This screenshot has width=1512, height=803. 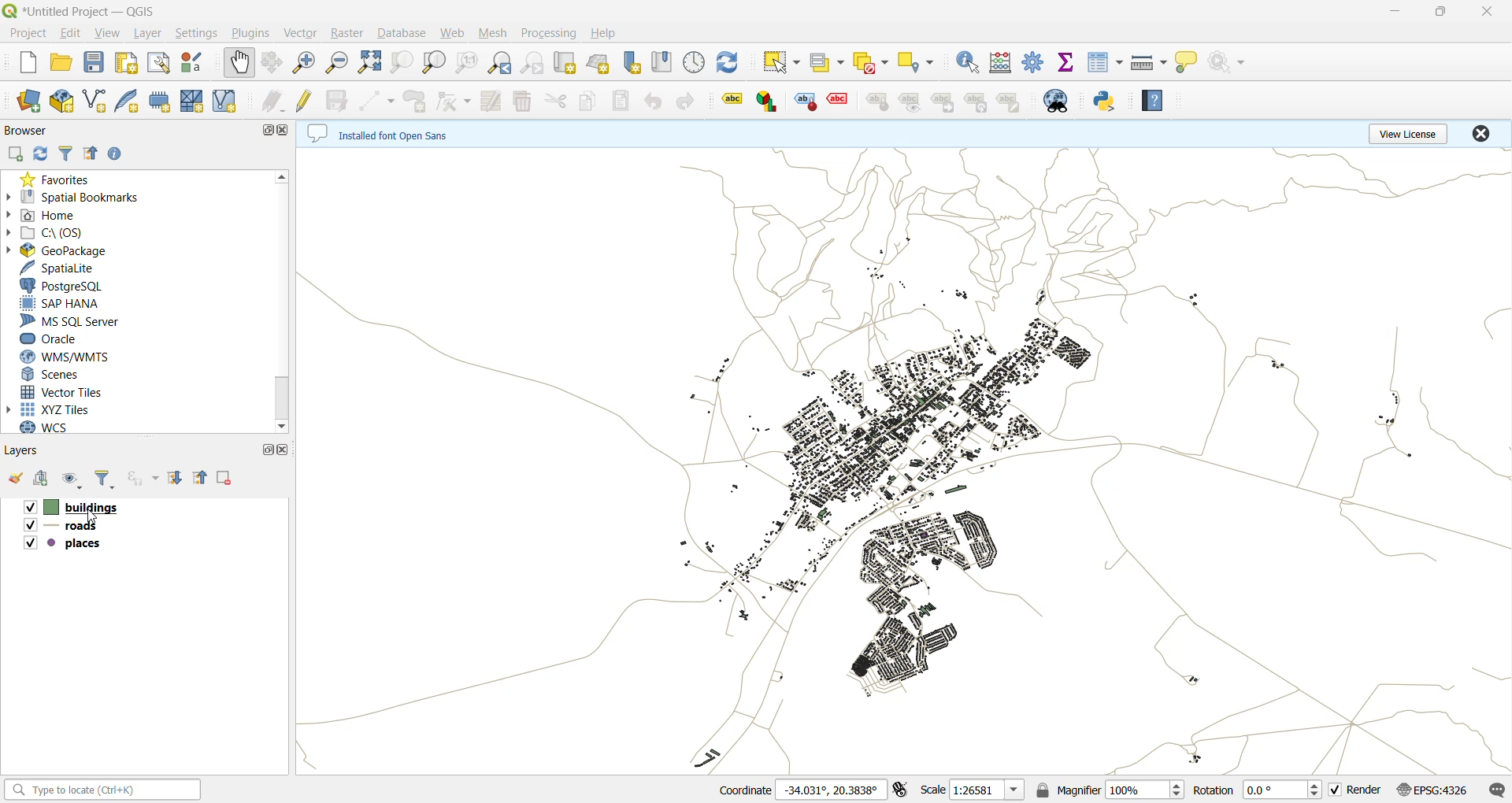 What do you see at coordinates (405, 61) in the screenshot?
I see `zoom selection` at bounding box center [405, 61].